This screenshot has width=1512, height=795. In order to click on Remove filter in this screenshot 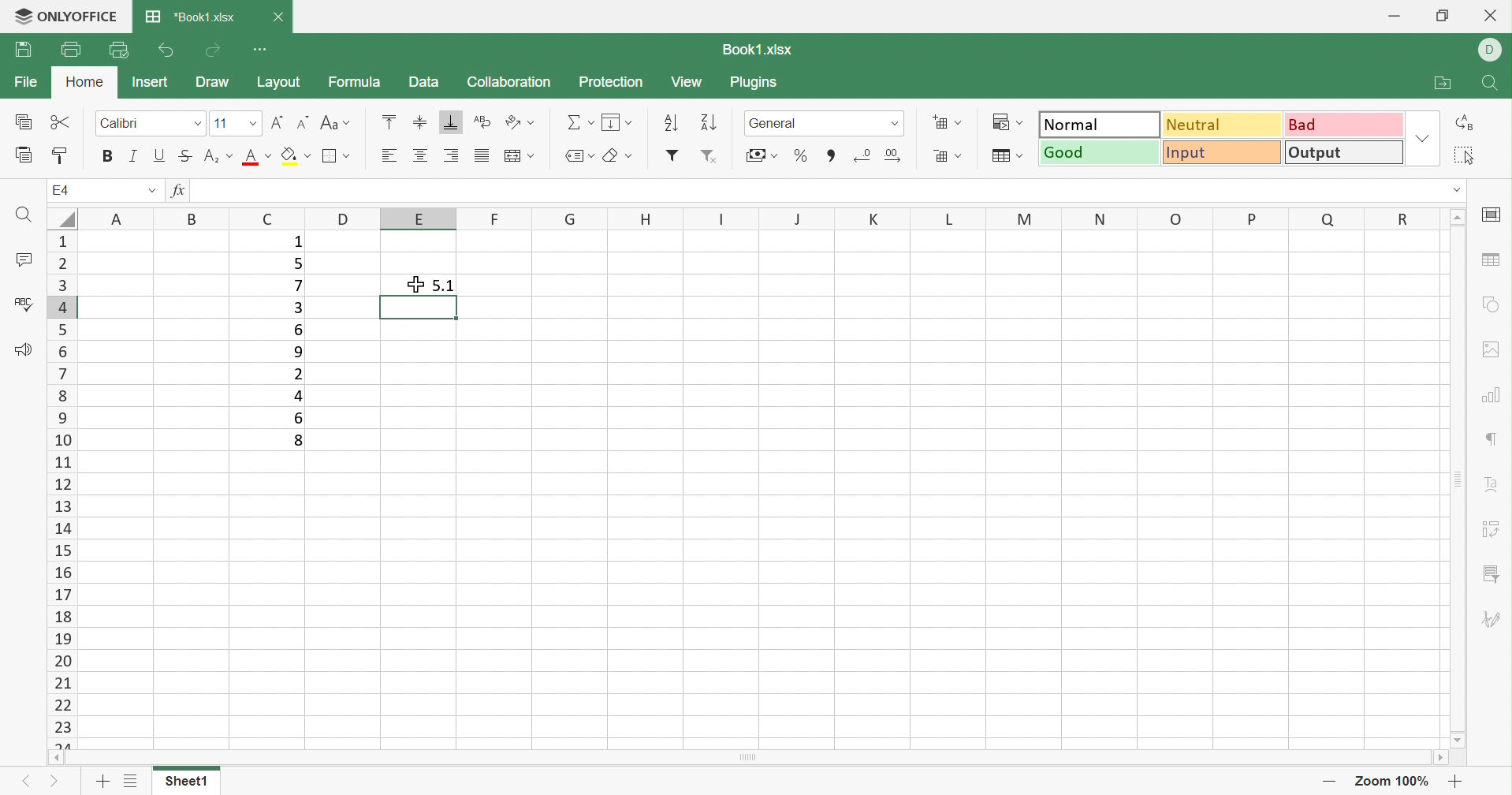, I will do `click(710, 157)`.